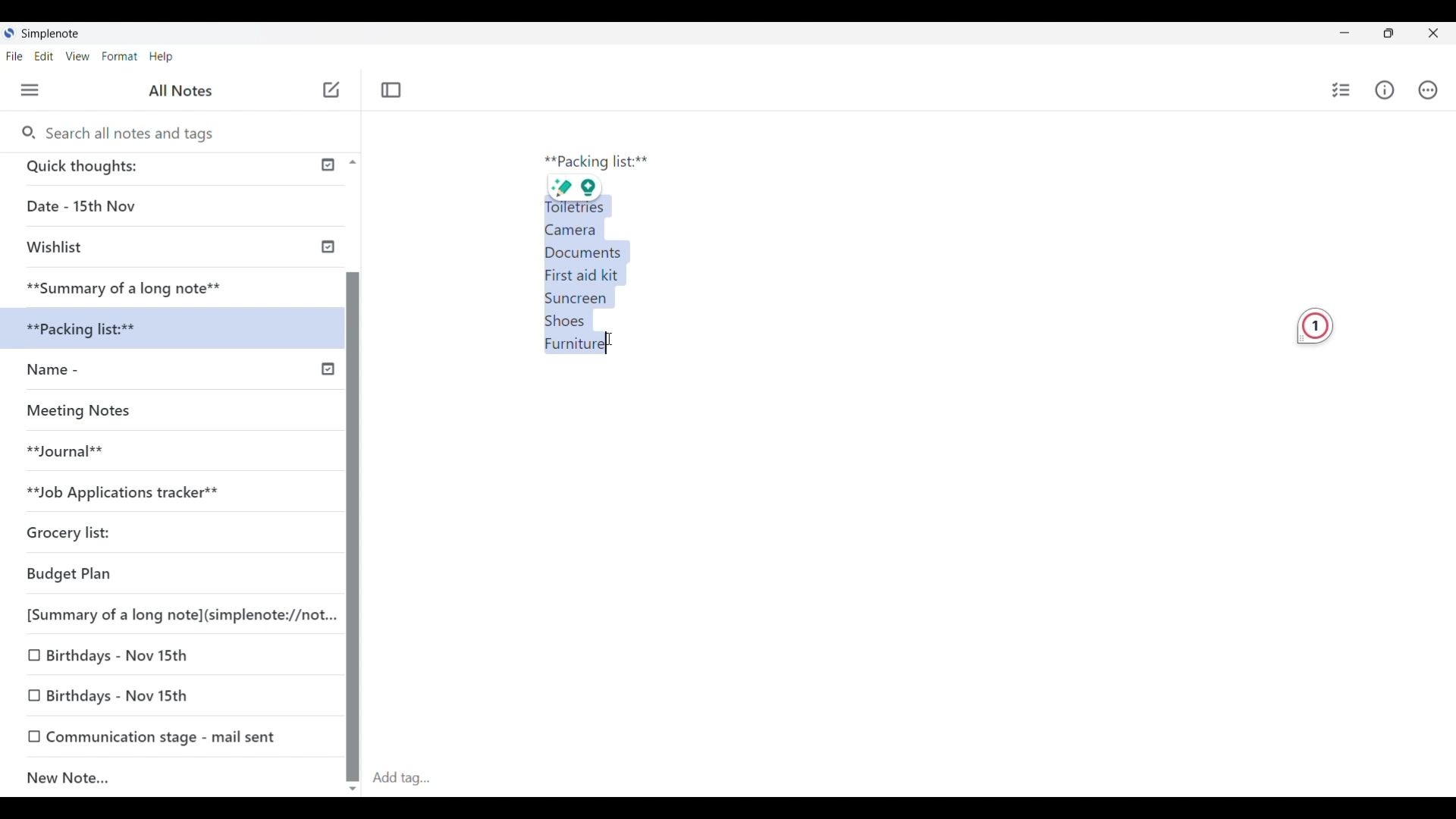  What do you see at coordinates (85, 372) in the screenshot?
I see `Name -` at bounding box center [85, 372].